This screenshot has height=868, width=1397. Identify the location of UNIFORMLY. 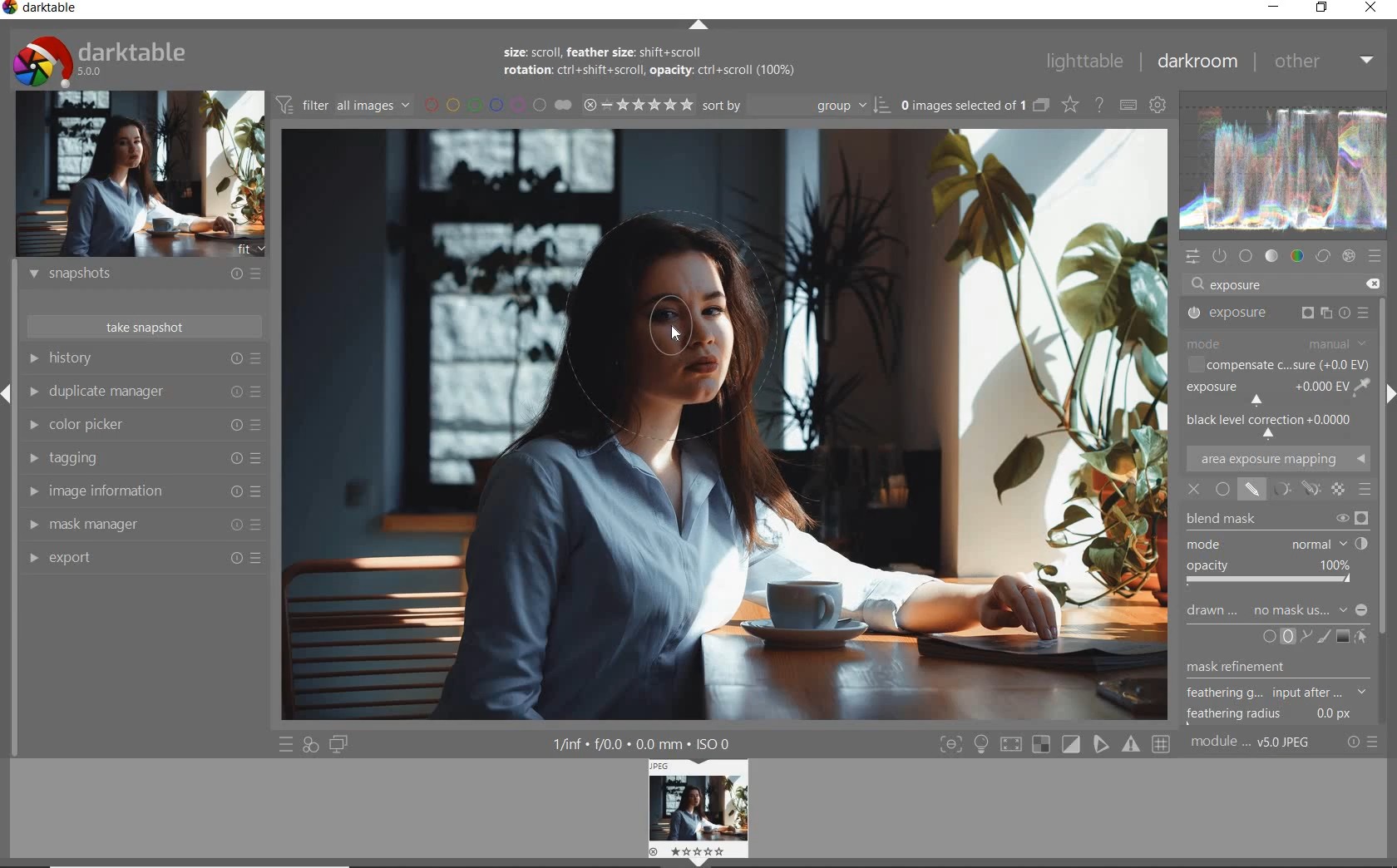
(1223, 489).